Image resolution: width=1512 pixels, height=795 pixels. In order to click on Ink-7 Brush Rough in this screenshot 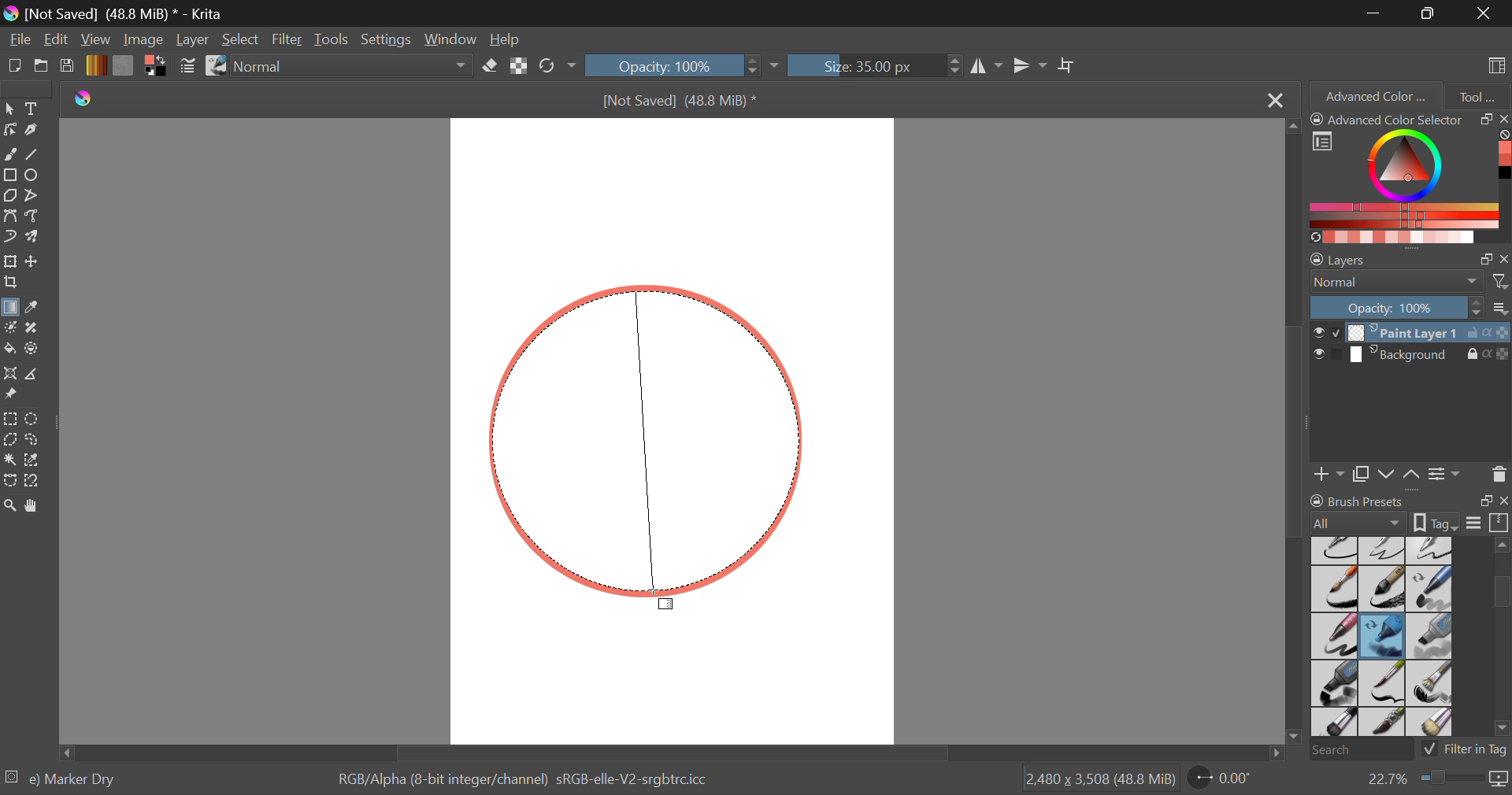, I will do `click(1332, 590)`.